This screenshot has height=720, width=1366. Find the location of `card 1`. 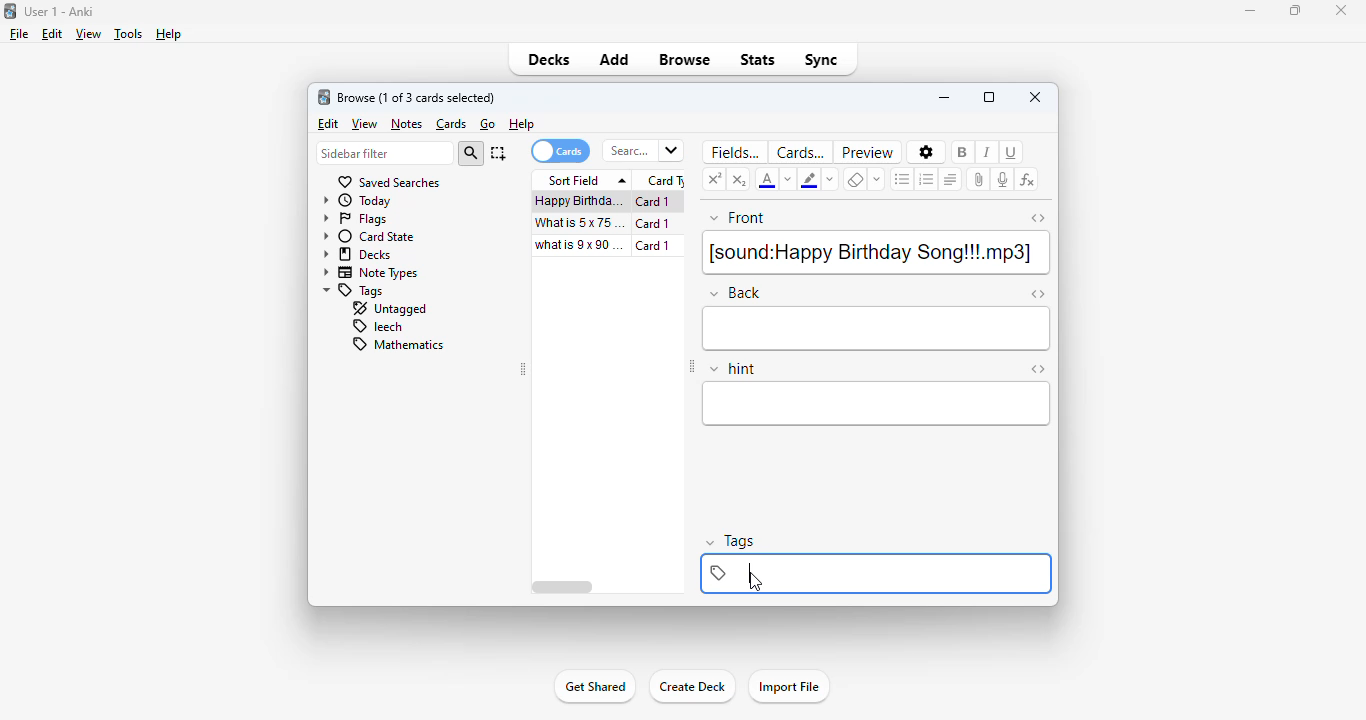

card 1 is located at coordinates (657, 202).